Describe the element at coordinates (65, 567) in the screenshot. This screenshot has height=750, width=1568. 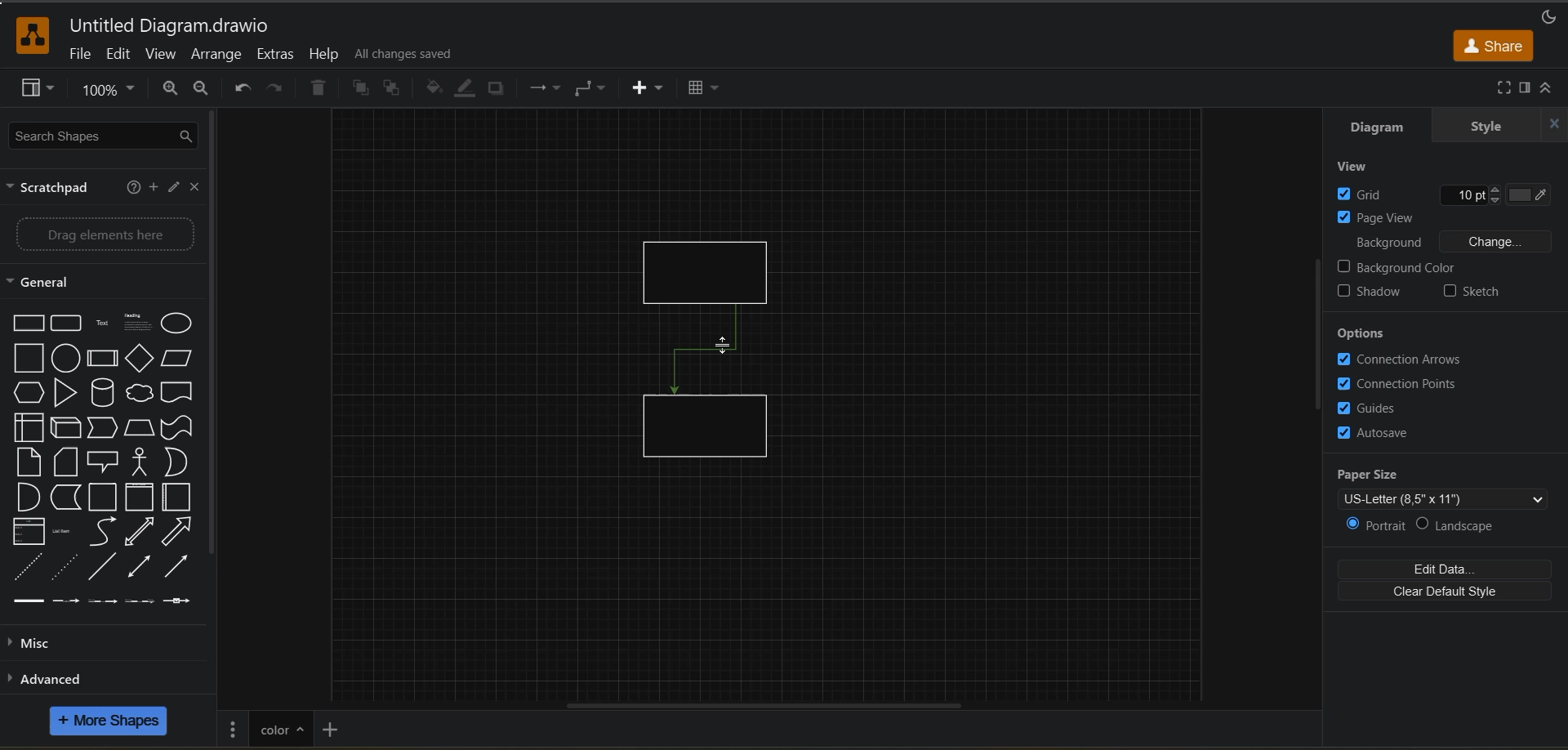
I see `Dotted line` at that location.